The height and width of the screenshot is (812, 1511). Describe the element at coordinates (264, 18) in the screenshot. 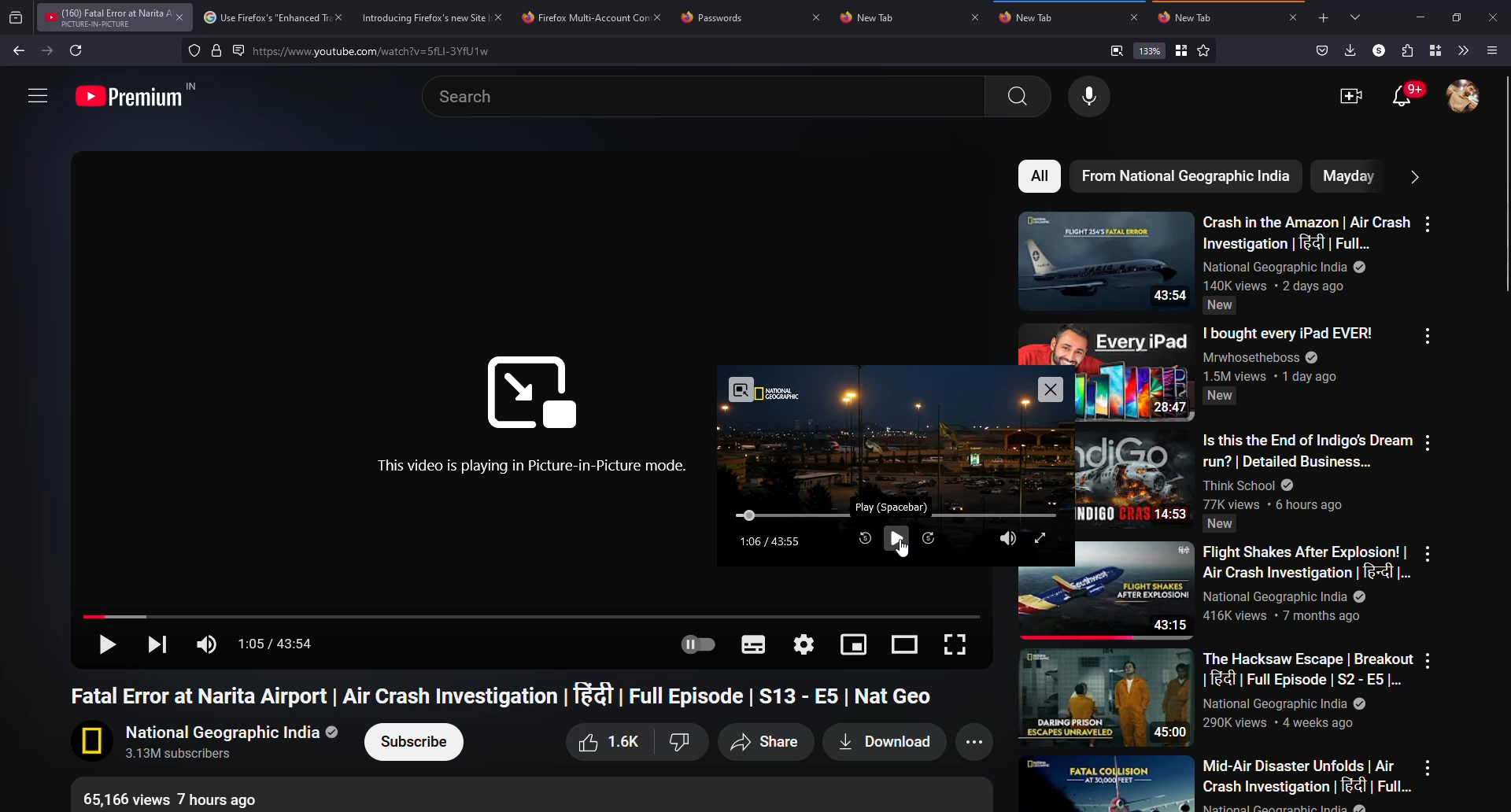

I see `Use Firefox tab` at that location.